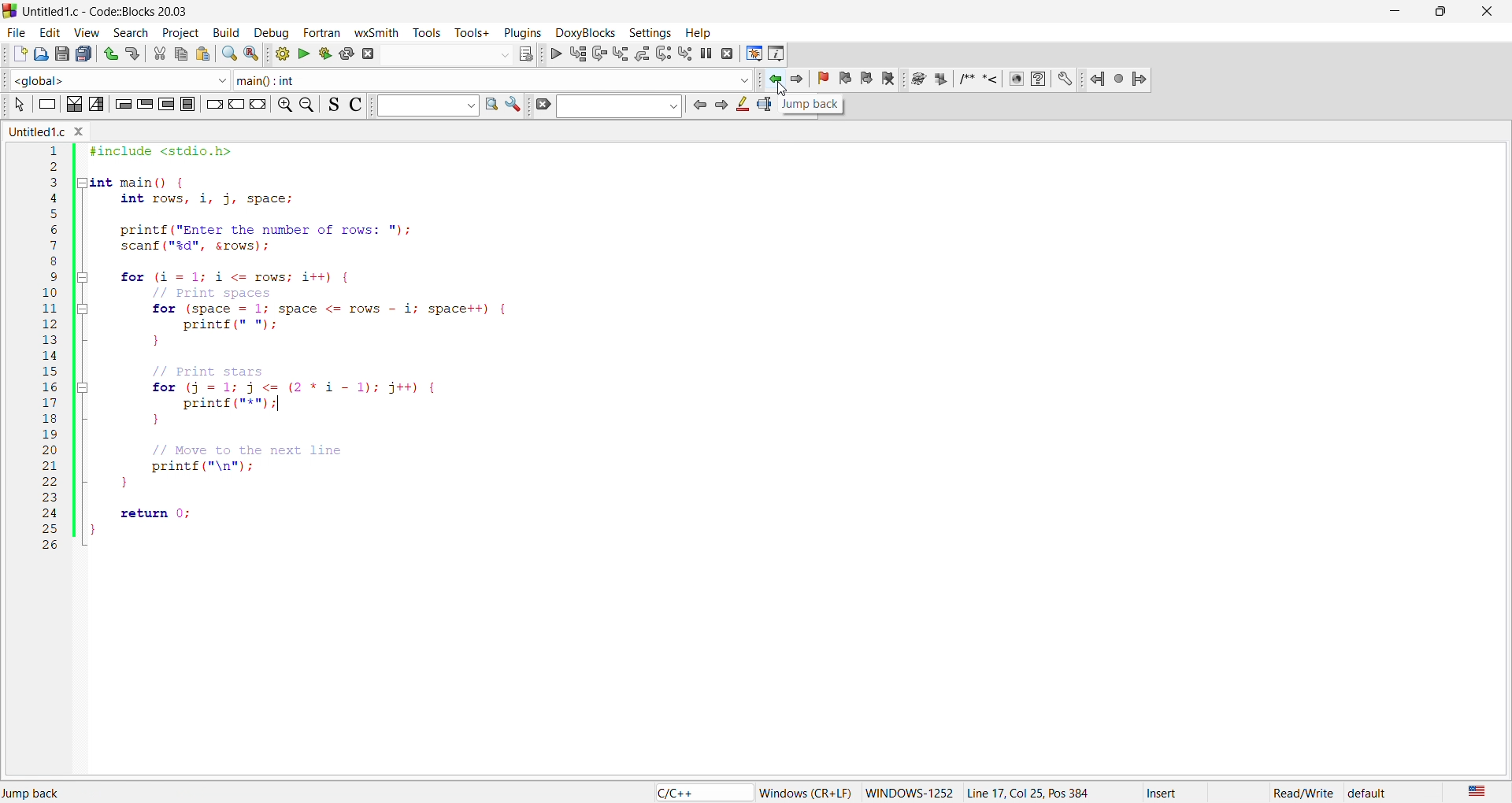  What do you see at coordinates (697, 105) in the screenshot?
I see `icon` at bounding box center [697, 105].